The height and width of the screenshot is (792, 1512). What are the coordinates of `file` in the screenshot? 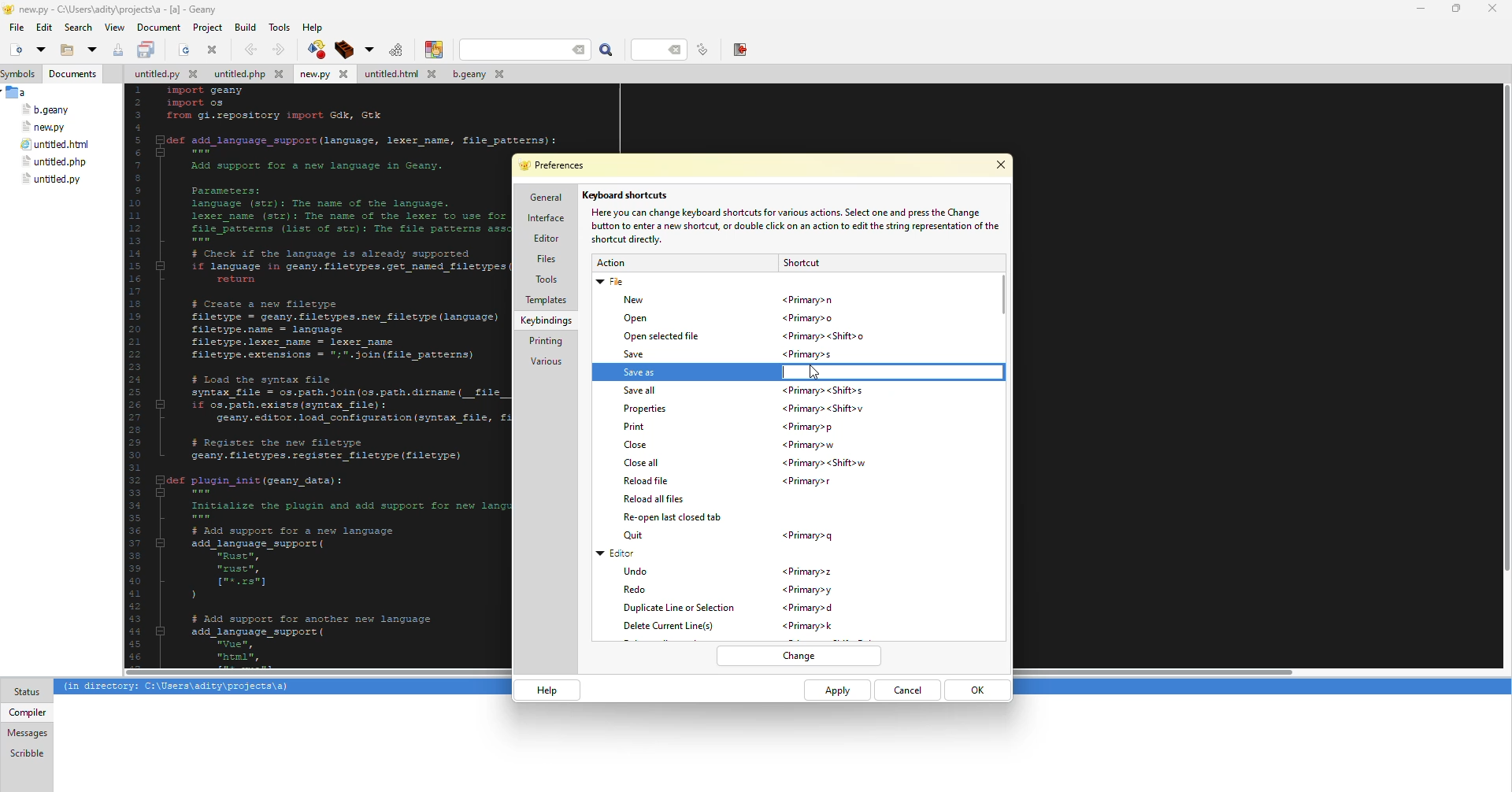 It's located at (476, 76).